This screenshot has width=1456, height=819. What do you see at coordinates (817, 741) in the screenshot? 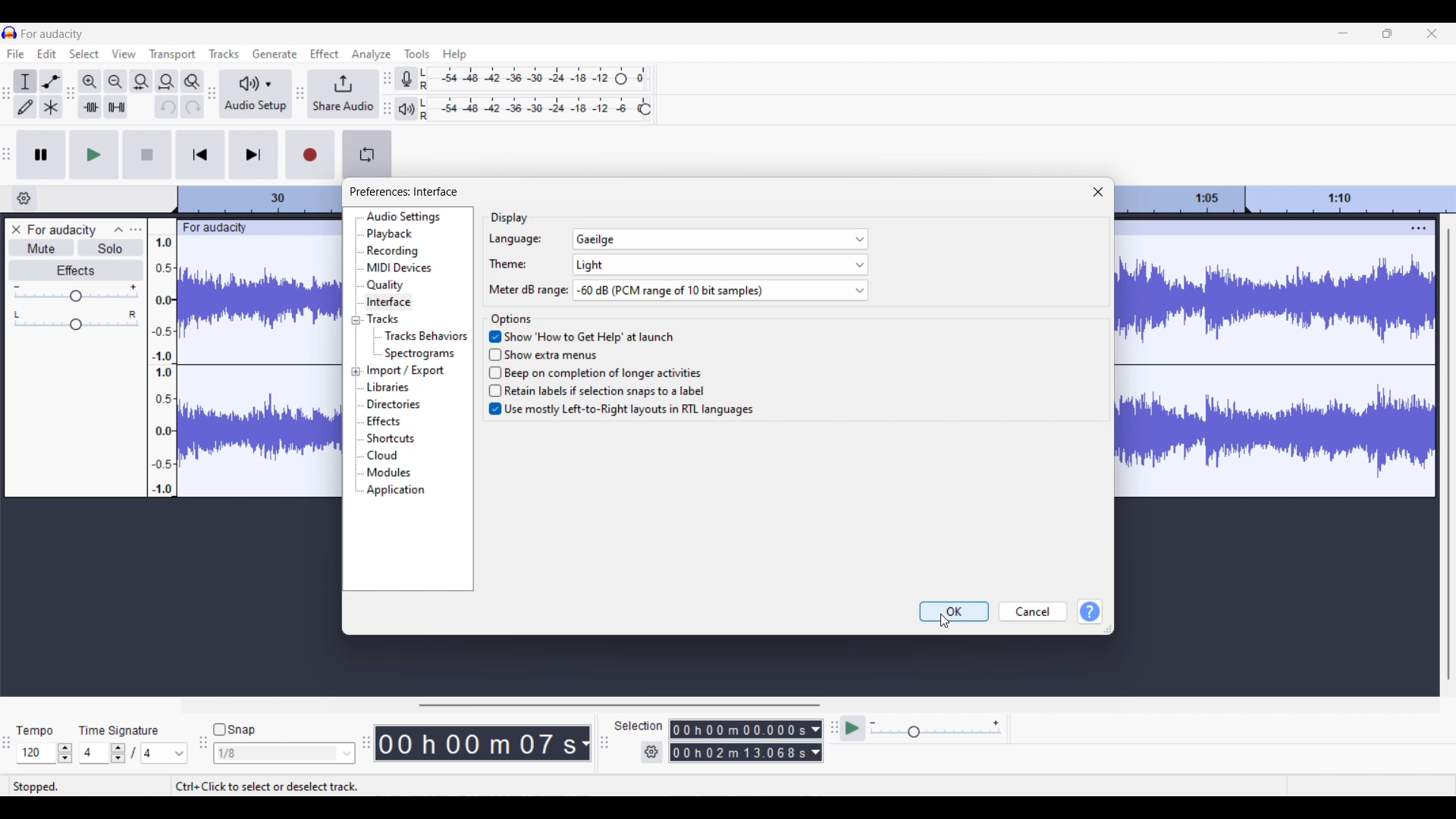
I see `Duration measurement` at bounding box center [817, 741].